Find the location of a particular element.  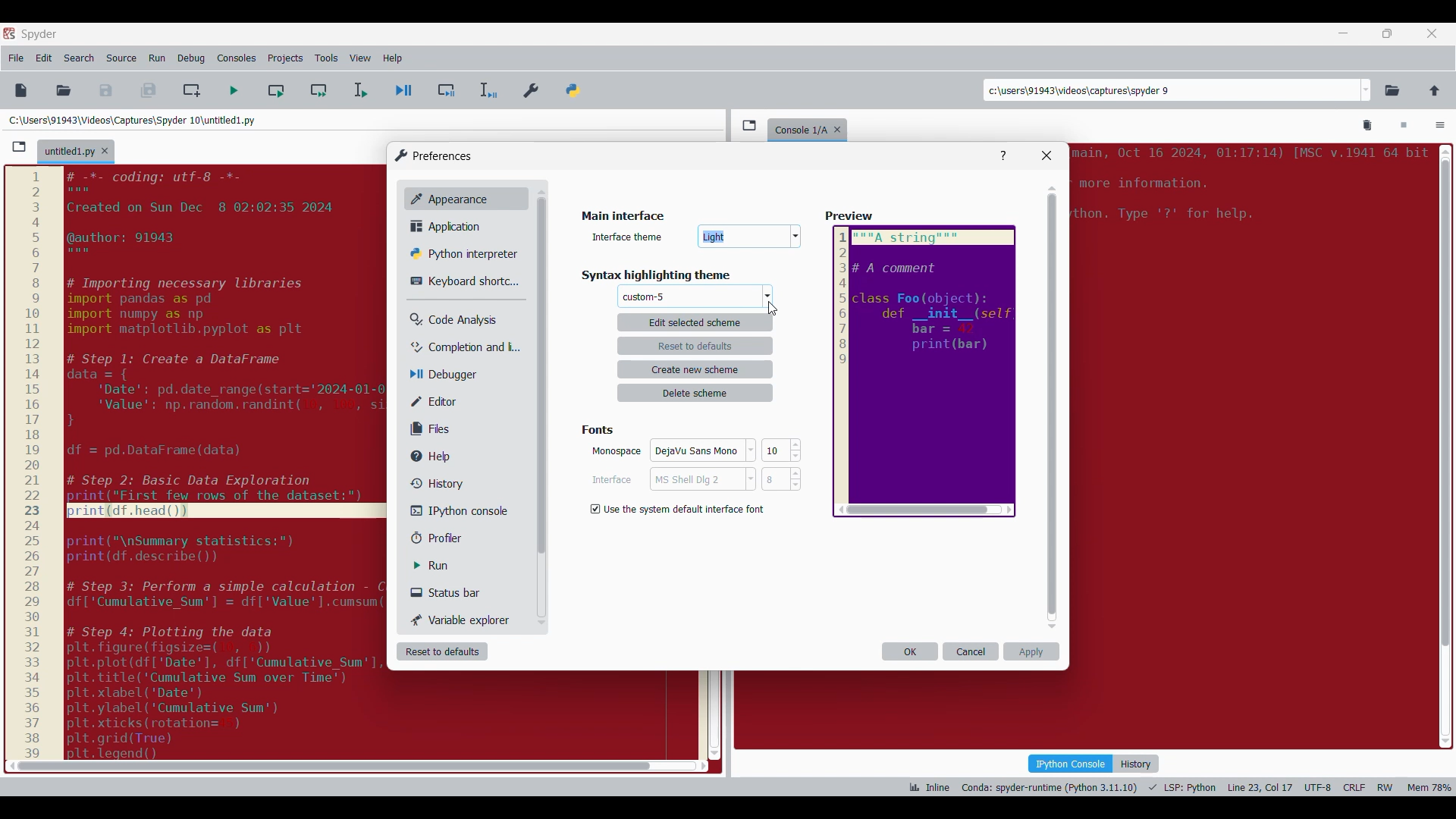

Location options is located at coordinates (1367, 90).